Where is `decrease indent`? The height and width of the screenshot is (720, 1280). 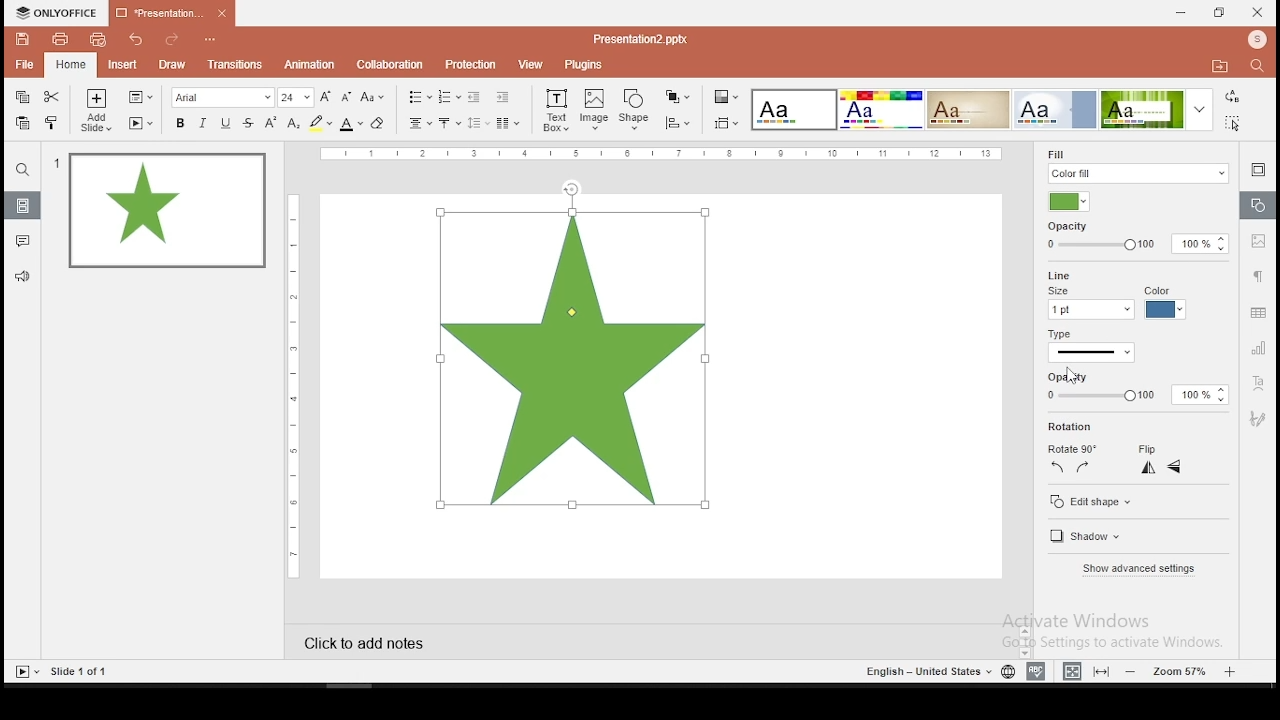
decrease indent is located at coordinates (476, 96).